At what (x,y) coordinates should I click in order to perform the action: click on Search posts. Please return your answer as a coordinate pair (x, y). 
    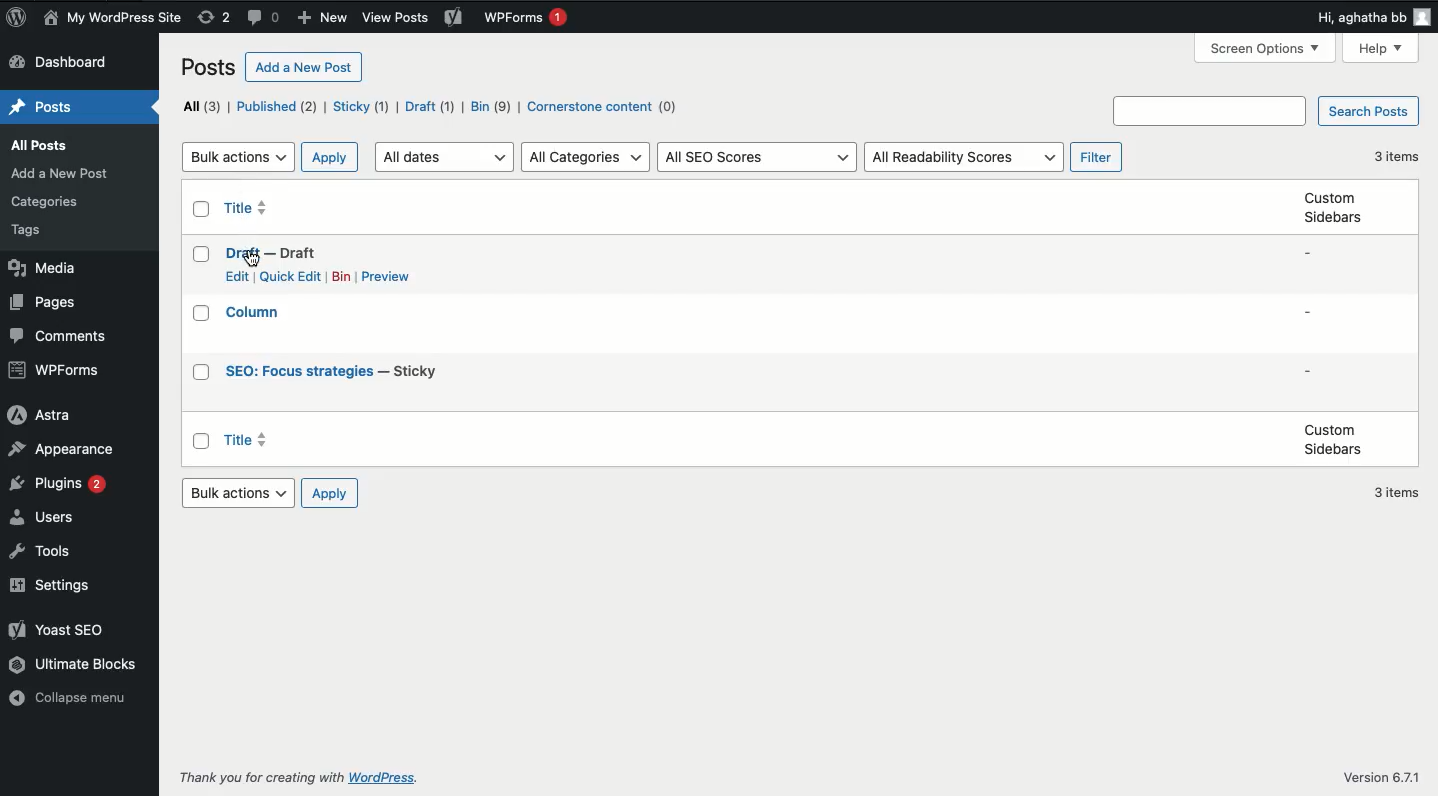
    Looking at the image, I should click on (1213, 110).